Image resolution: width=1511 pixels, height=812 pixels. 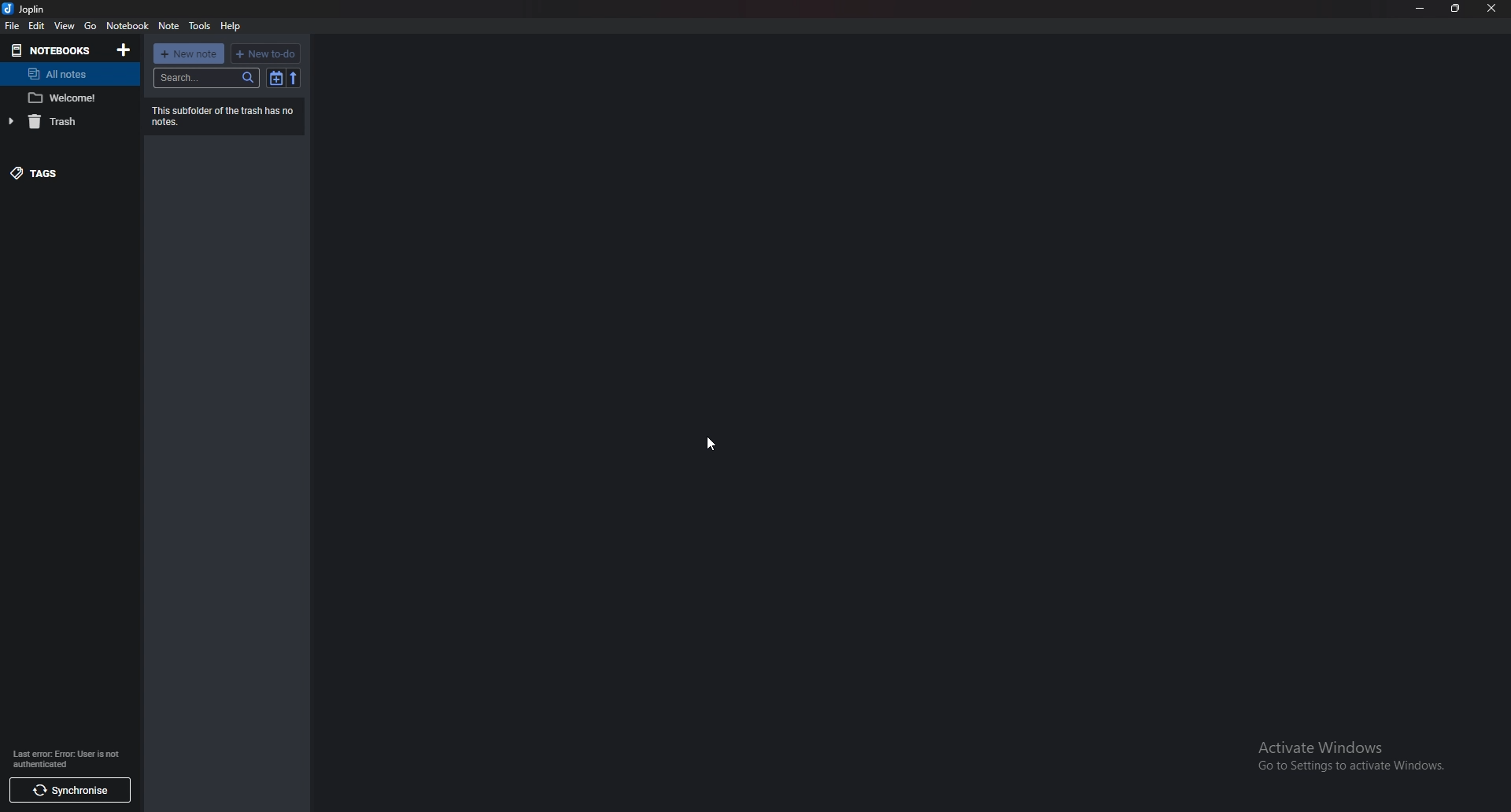 What do you see at coordinates (265, 52) in the screenshot?
I see `new to do` at bounding box center [265, 52].